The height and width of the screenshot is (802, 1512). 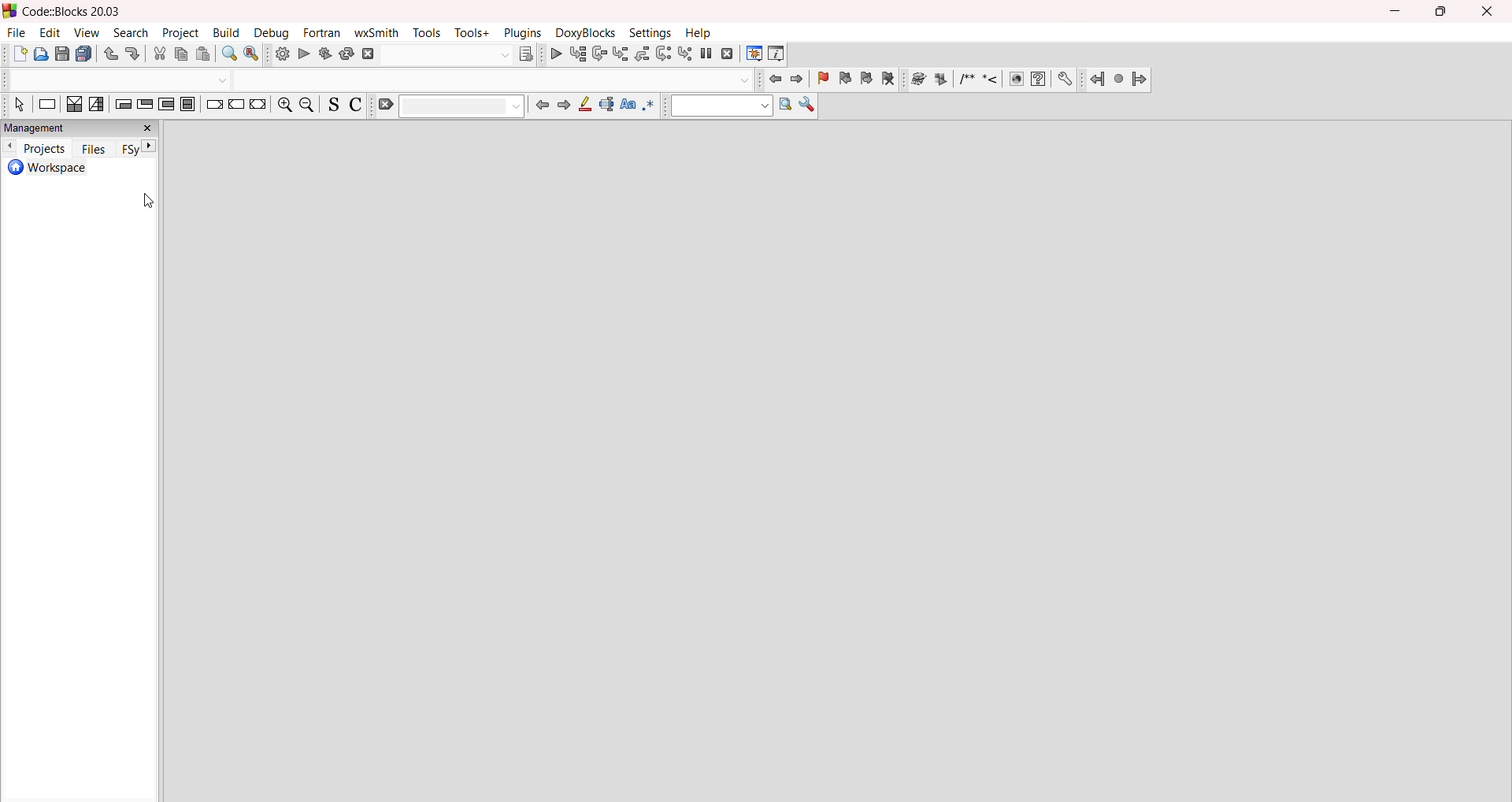 I want to click on return instruction, so click(x=261, y=107).